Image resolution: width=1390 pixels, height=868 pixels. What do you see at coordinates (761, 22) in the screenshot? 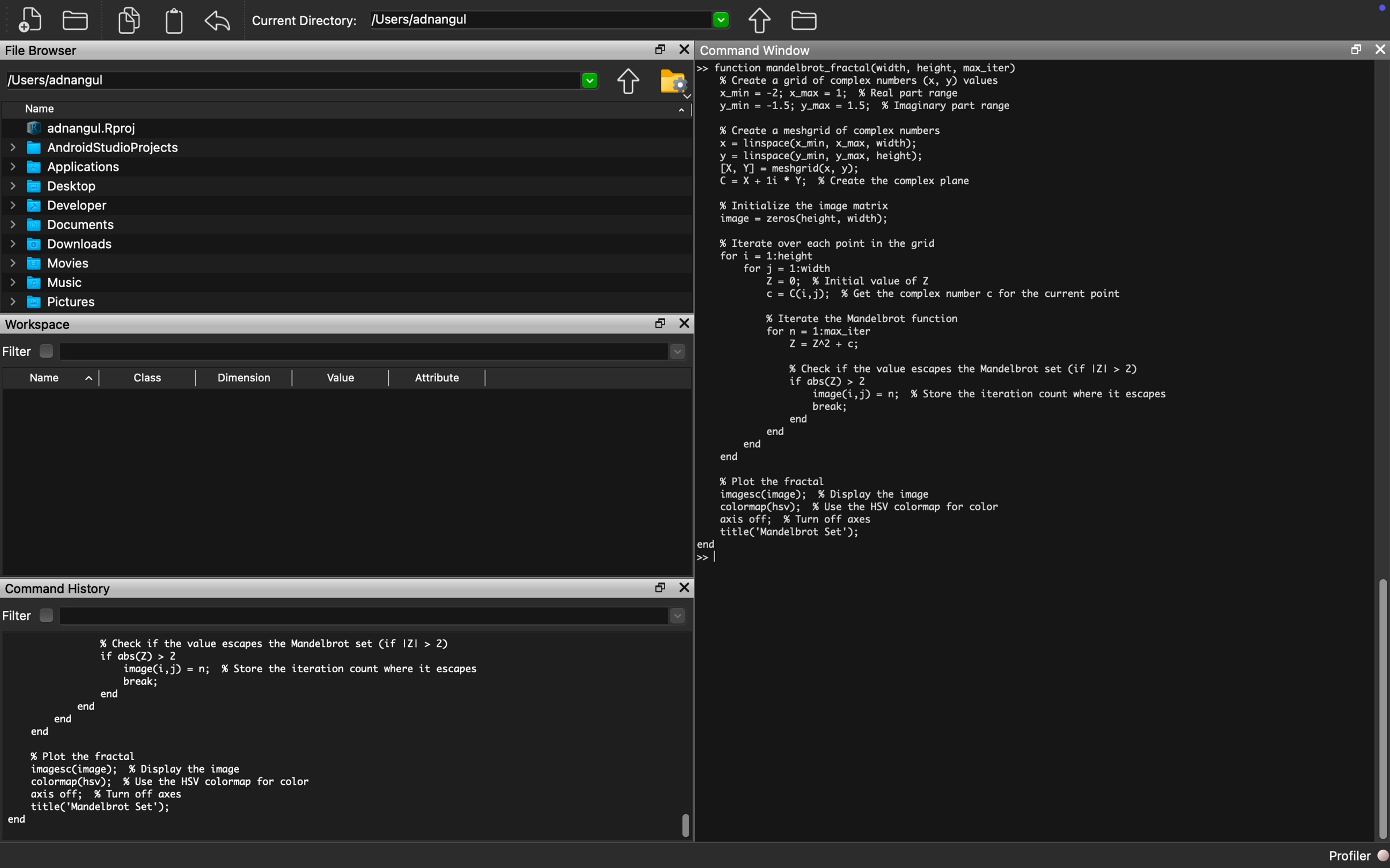
I see `Parent Directory` at bounding box center [761, 22].